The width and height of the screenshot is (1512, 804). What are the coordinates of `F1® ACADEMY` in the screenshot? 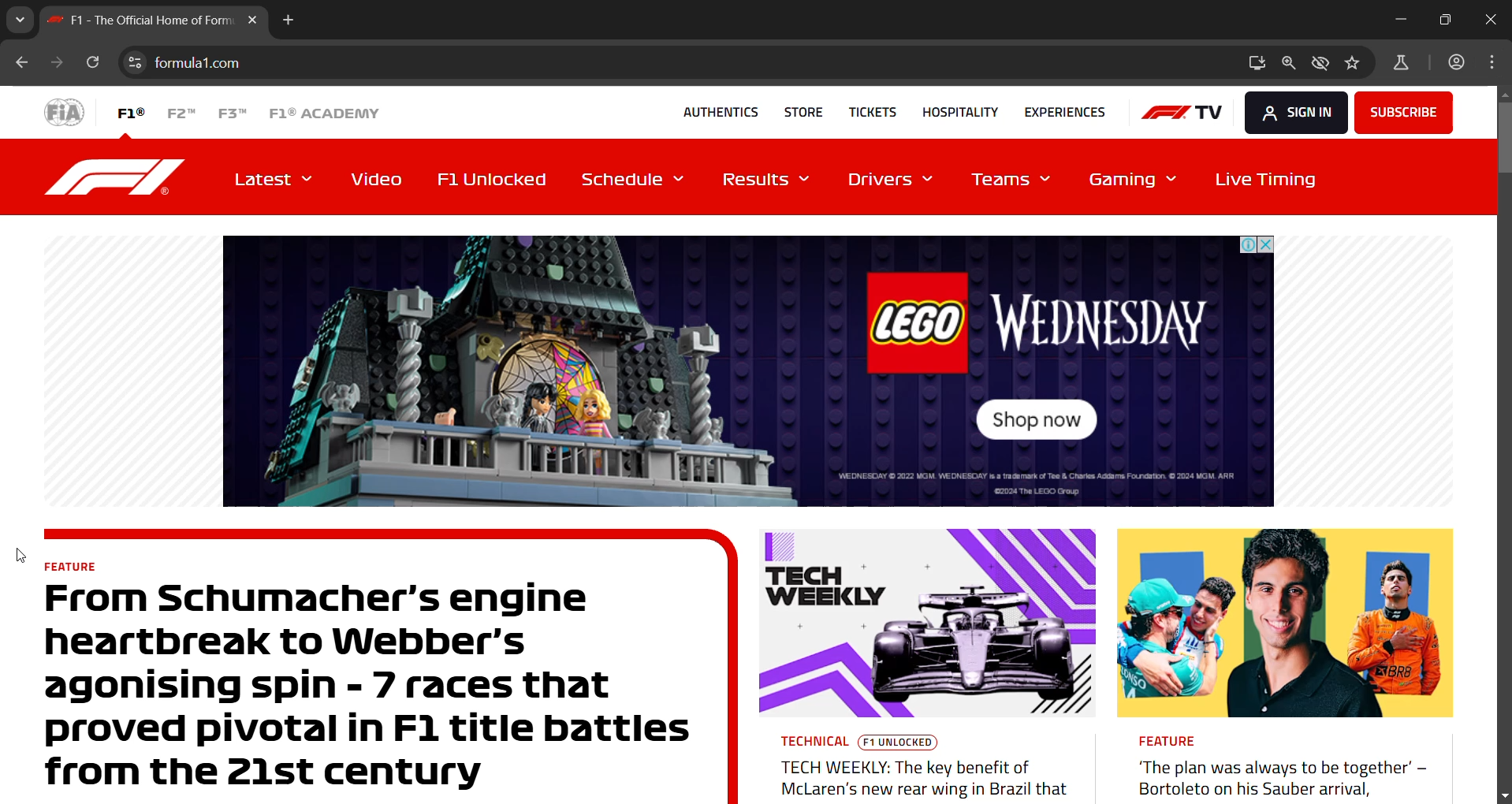 It's located at (322, 114).